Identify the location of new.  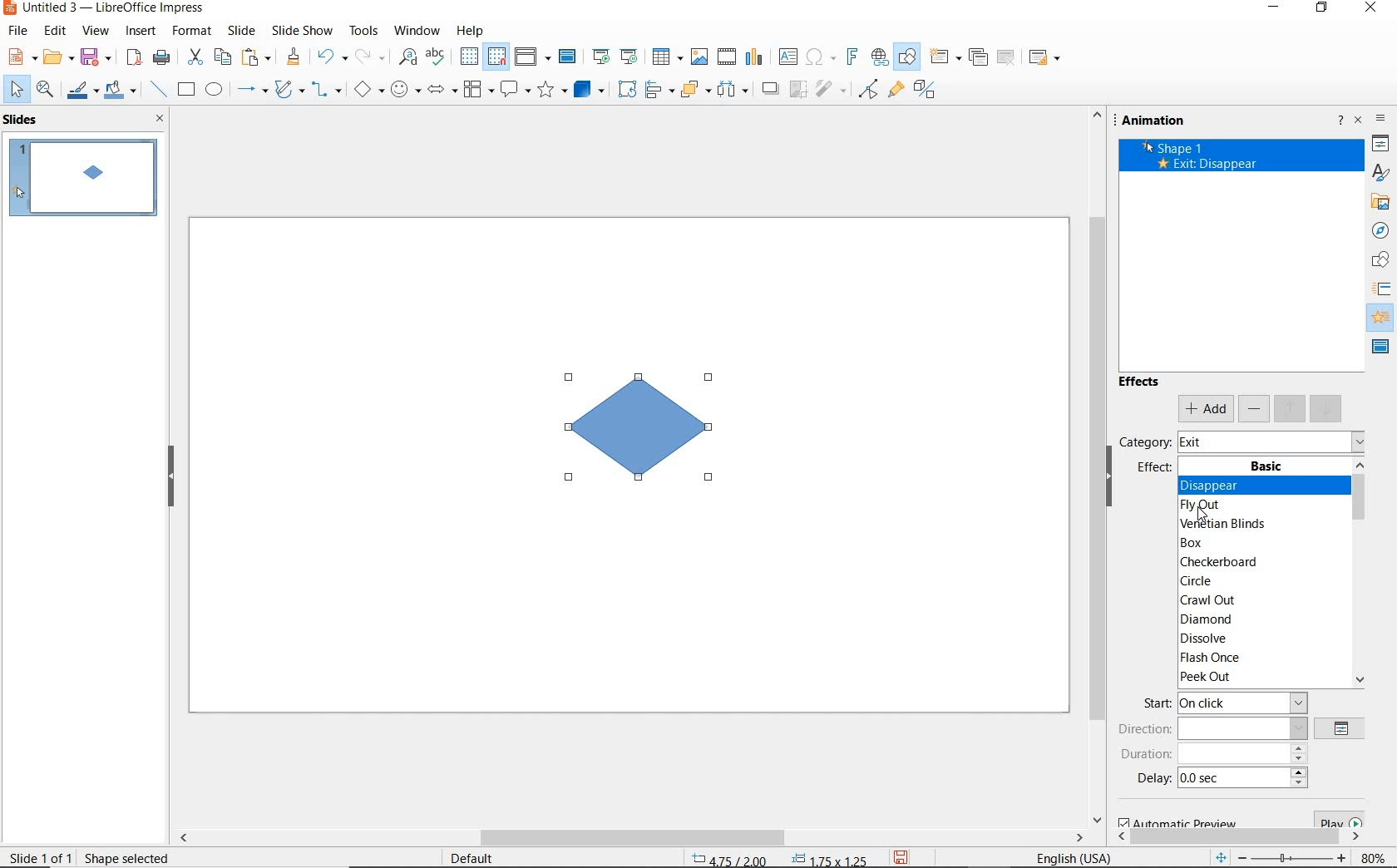
(21, 56).